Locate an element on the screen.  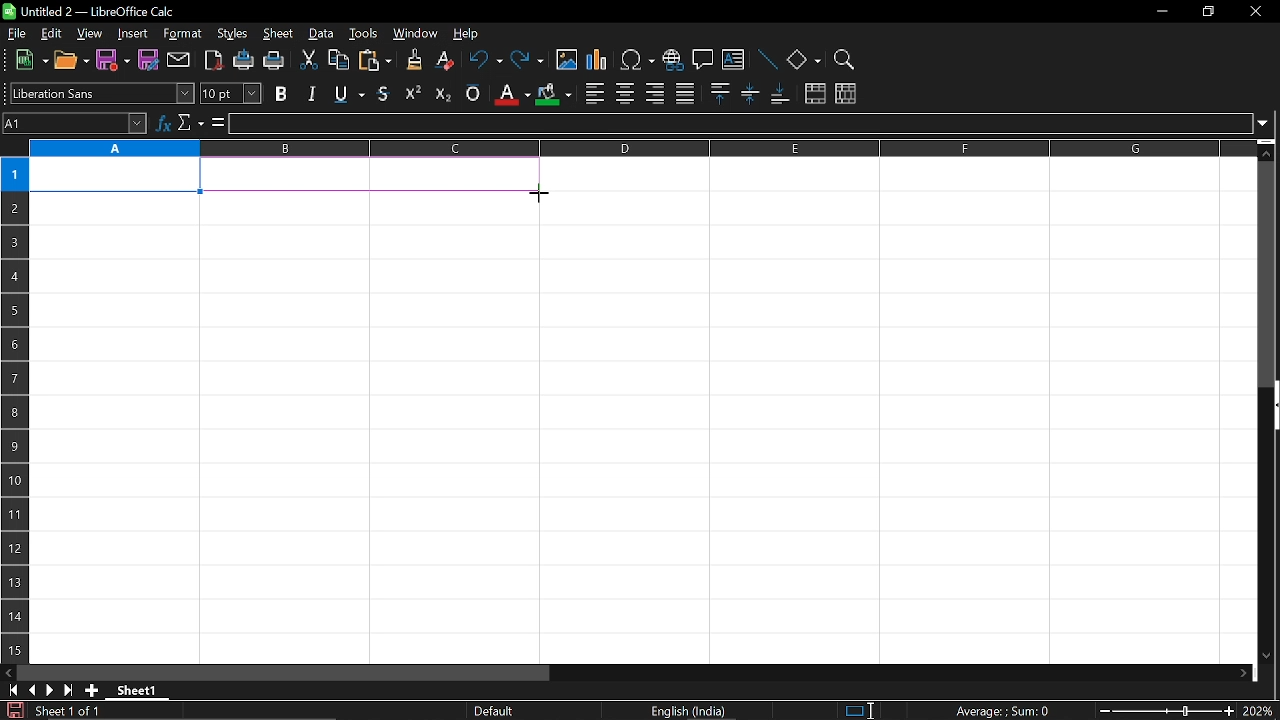
line is located at coordinates (767, 59).